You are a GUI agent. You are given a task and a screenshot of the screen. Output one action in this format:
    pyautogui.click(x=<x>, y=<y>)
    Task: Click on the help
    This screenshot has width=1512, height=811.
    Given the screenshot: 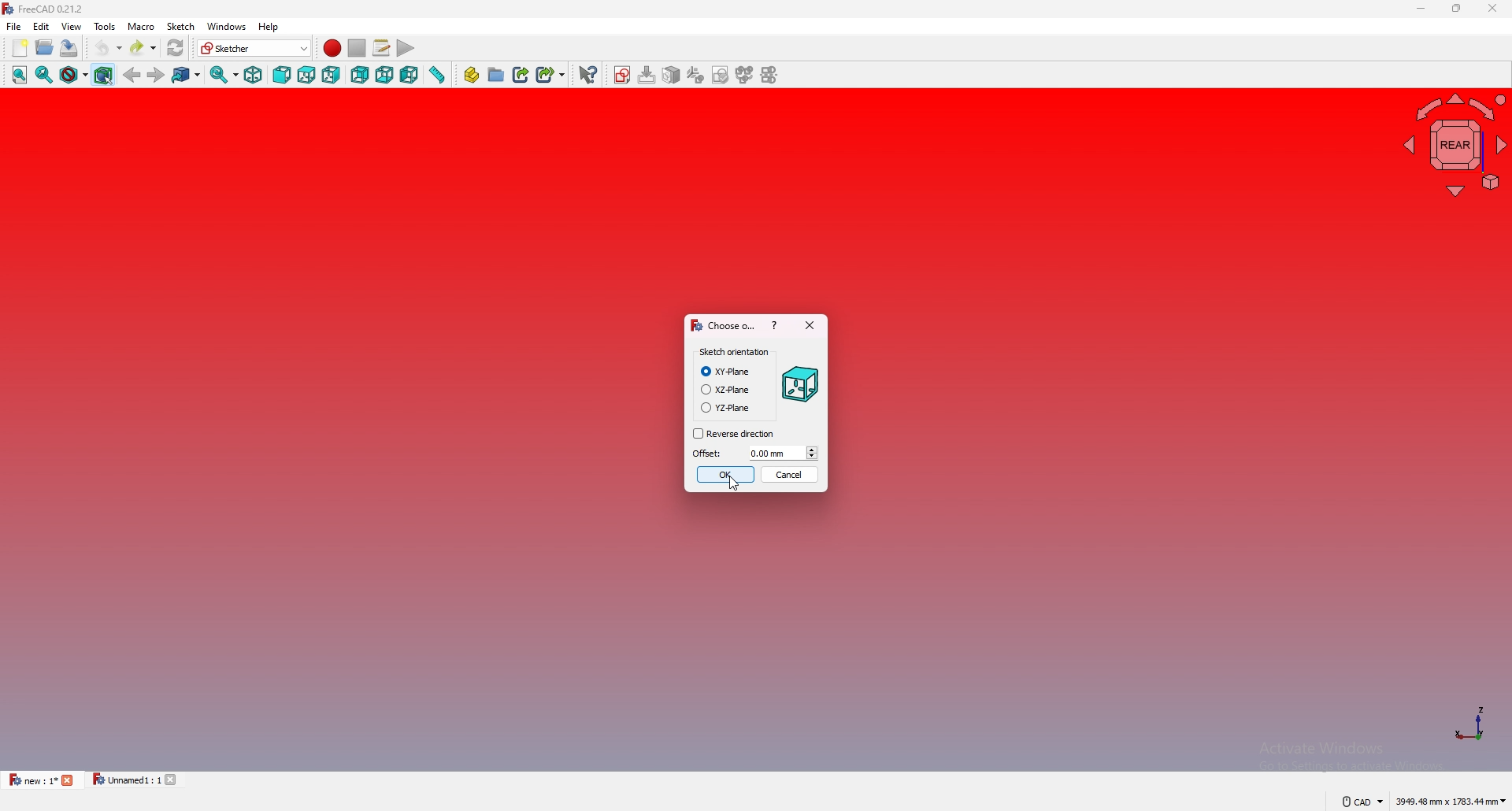 What is the action you would take?
    pyautogui.click(x=269, y=27)
    